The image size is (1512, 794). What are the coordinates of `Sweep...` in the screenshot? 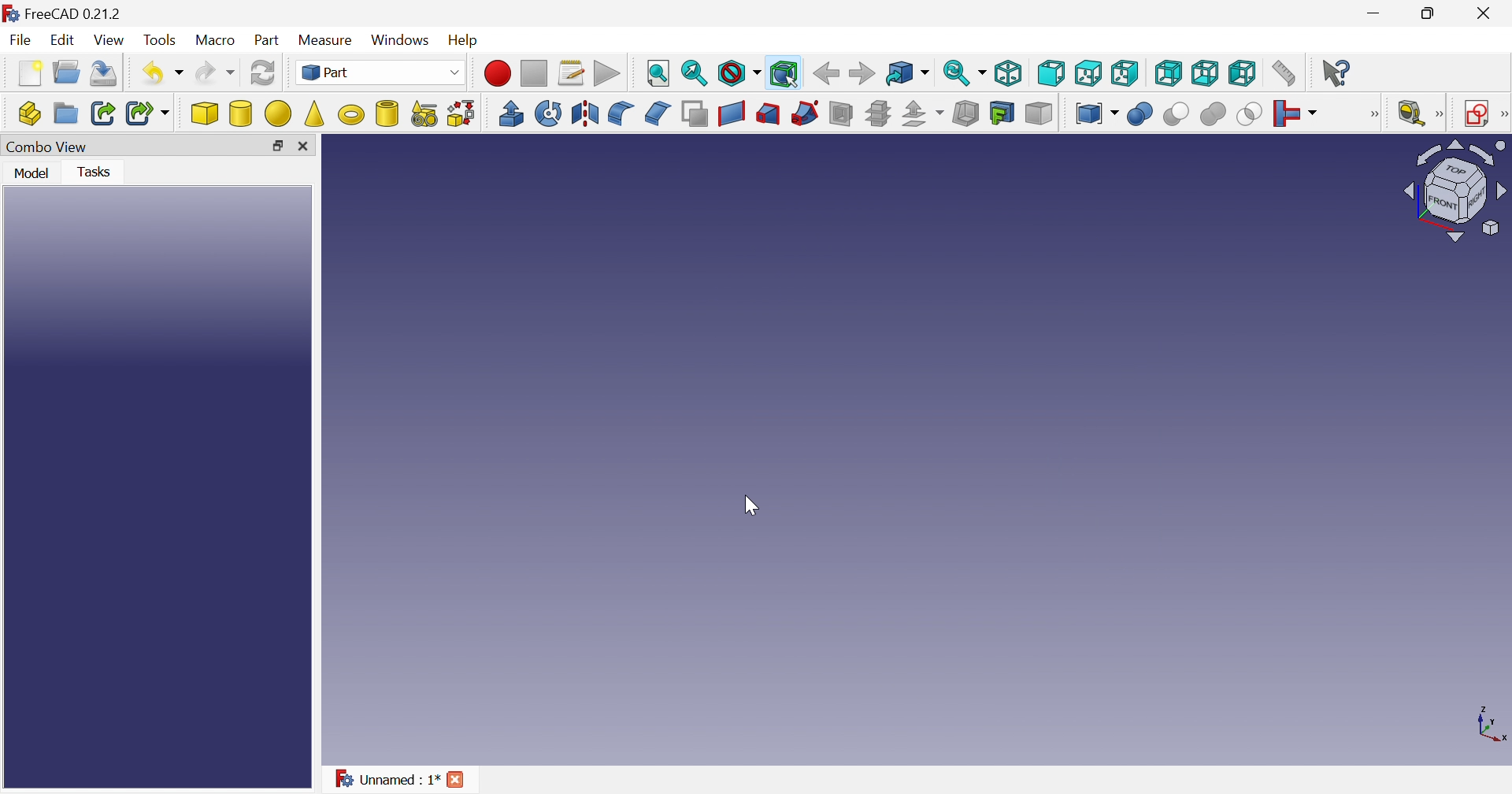 It's located at (805, 113).